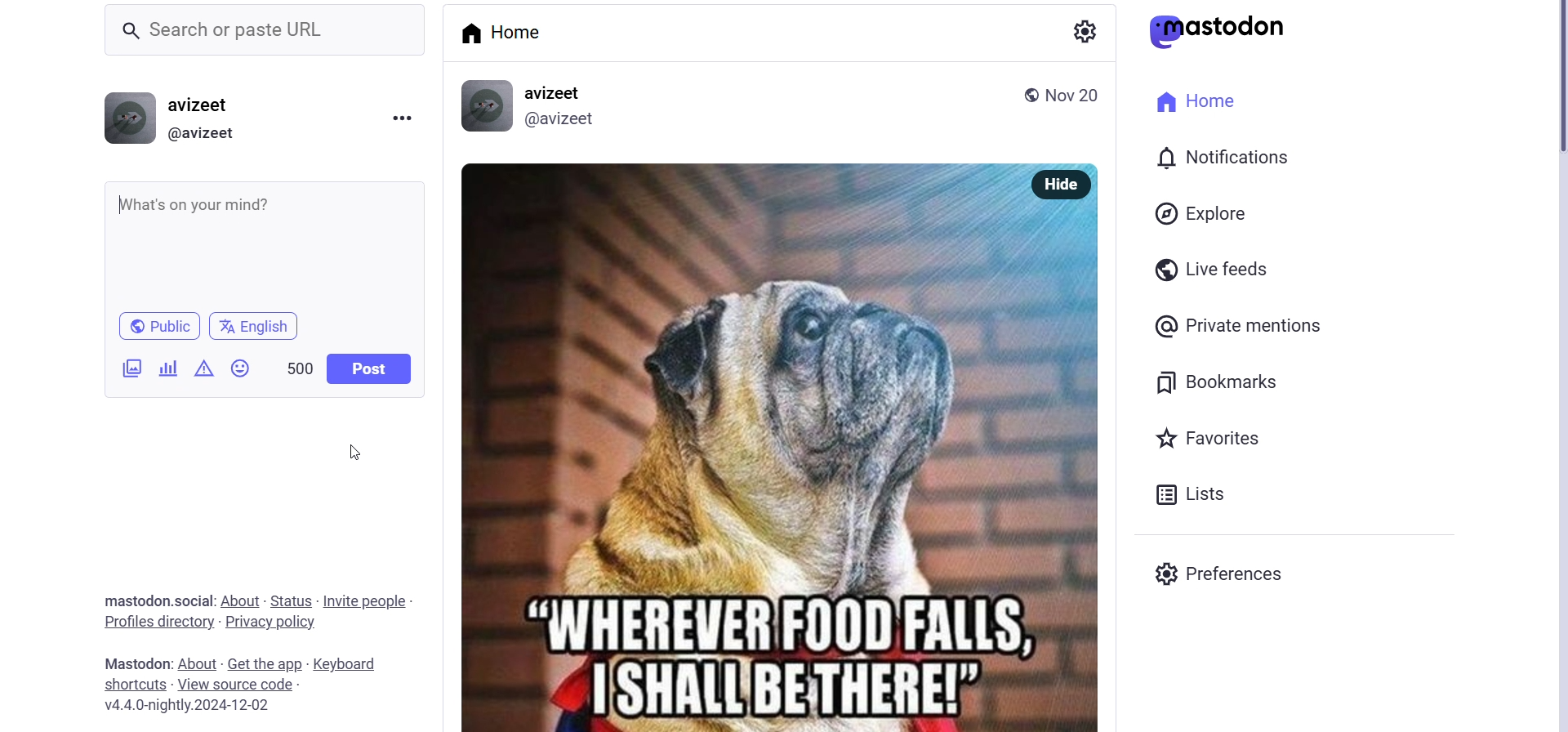  Describe the element at coordinates (1220, 492) in the screenshot. I see `lists` at that location.